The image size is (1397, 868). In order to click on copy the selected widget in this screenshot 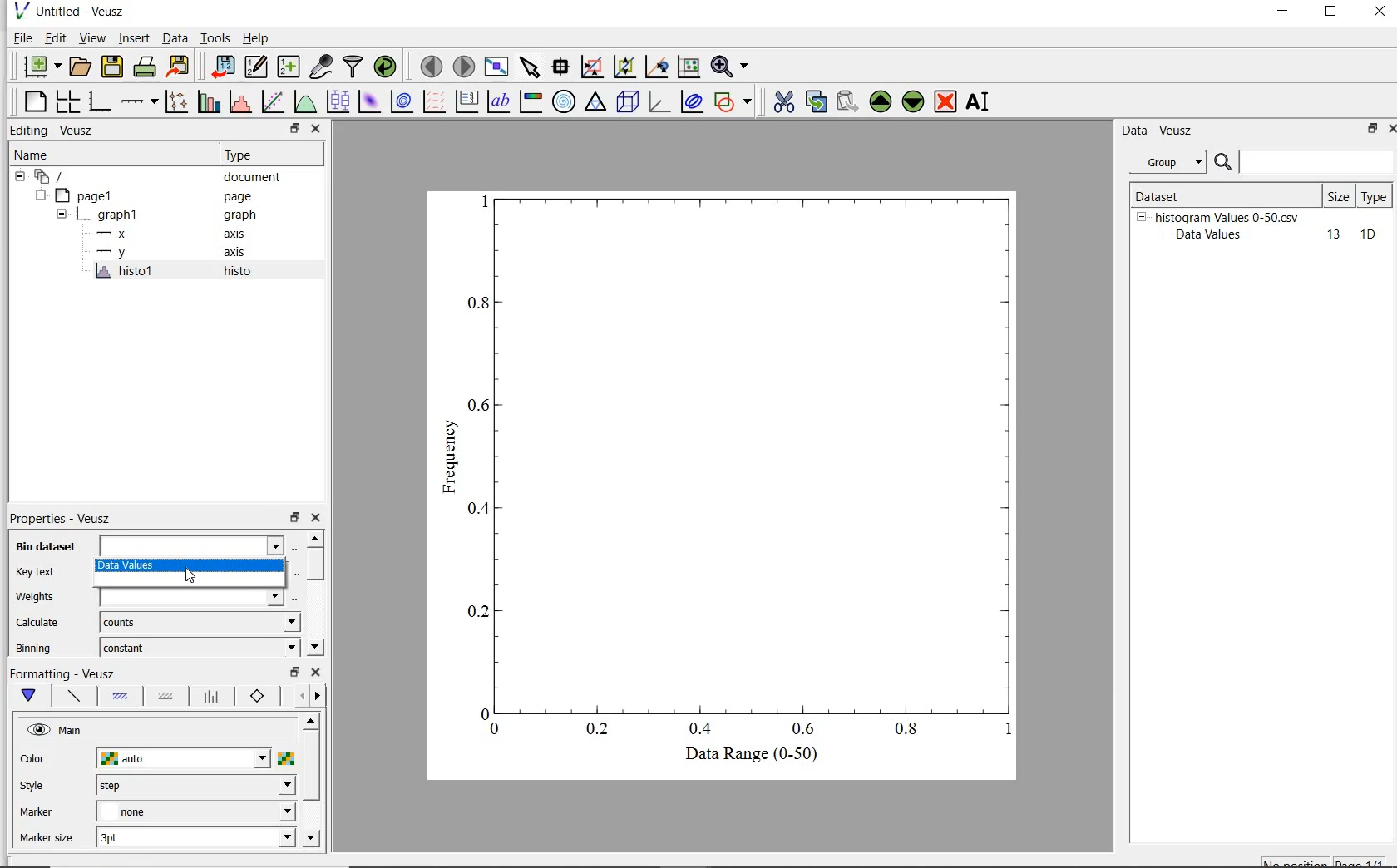, I will do `click(815, 104)`.